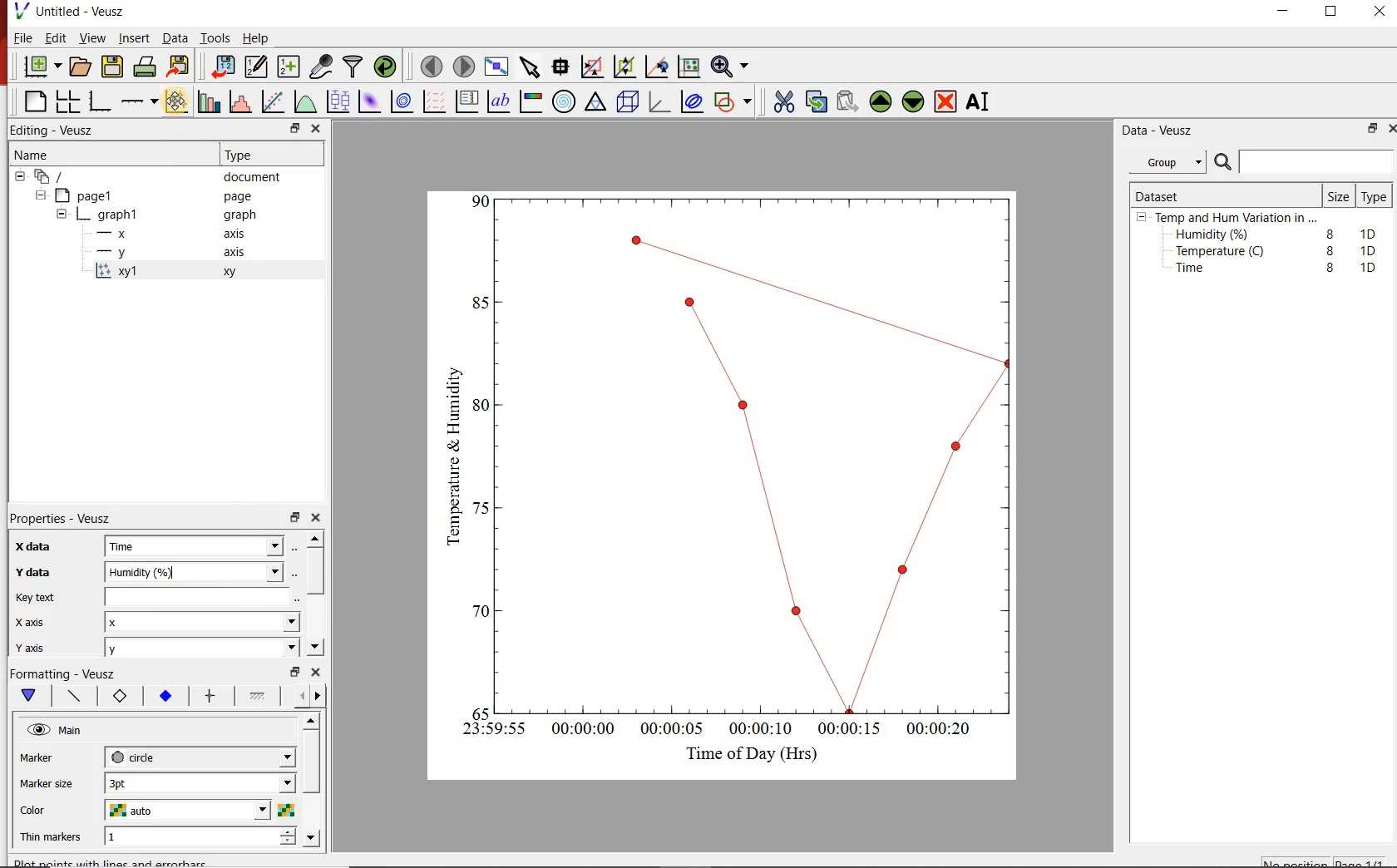  What do you see at coordinates (435, 101) in the screenshot?
I see `plot a vector field` at bounding box center [435, 101].